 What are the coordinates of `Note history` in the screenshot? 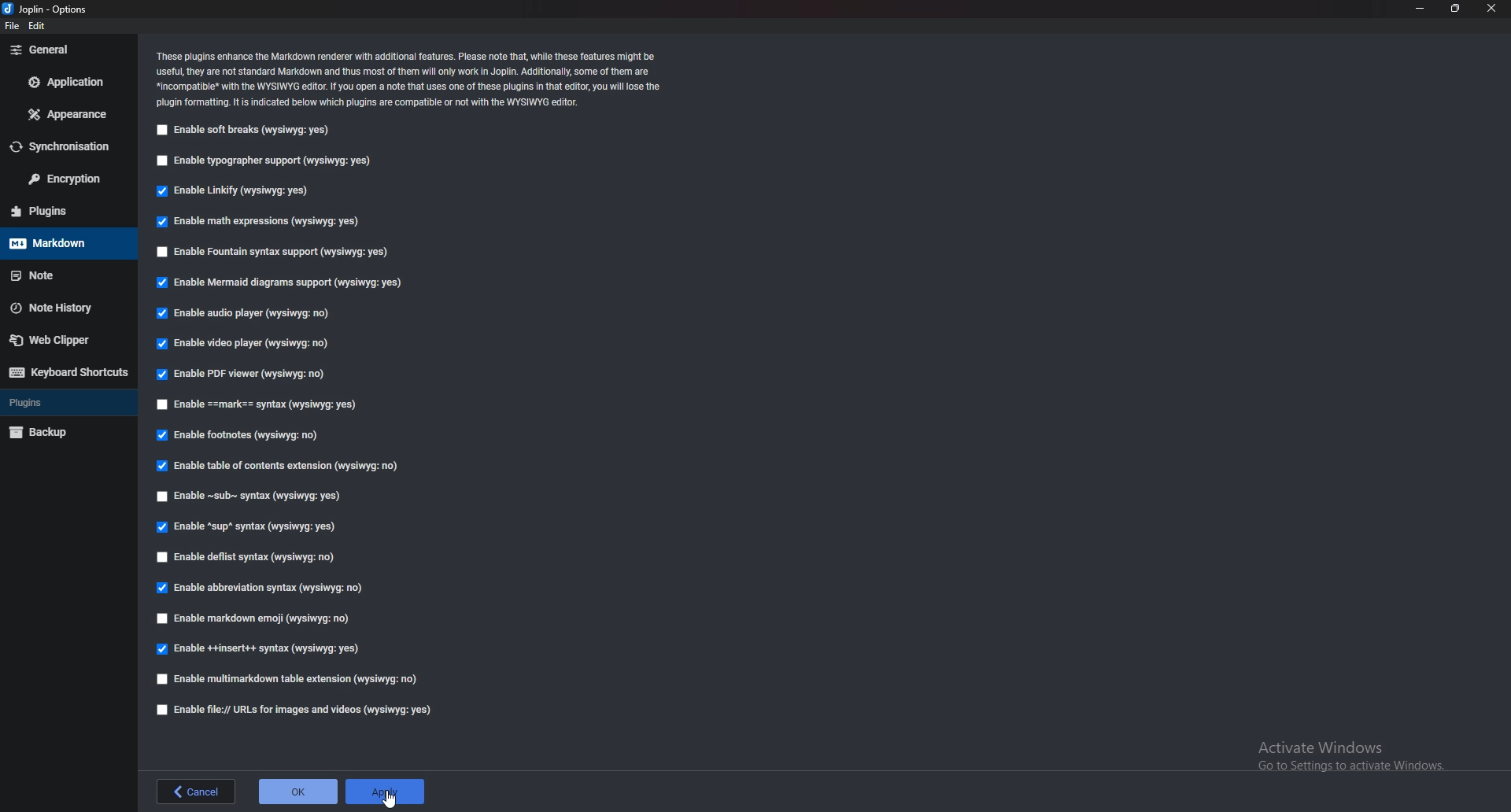 It's located at (63, 309).